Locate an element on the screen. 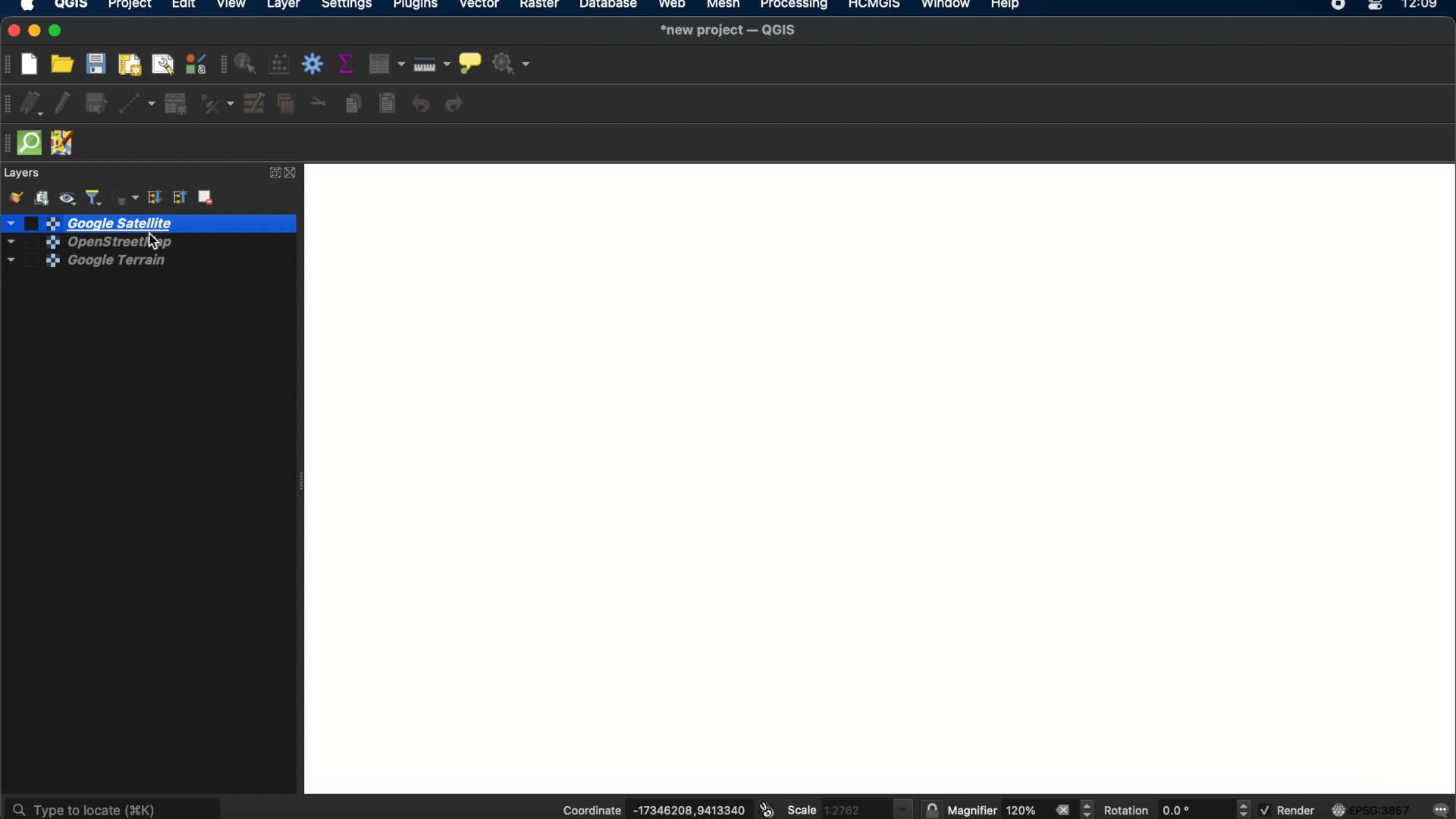  modify is located at coordinates (256, 103).